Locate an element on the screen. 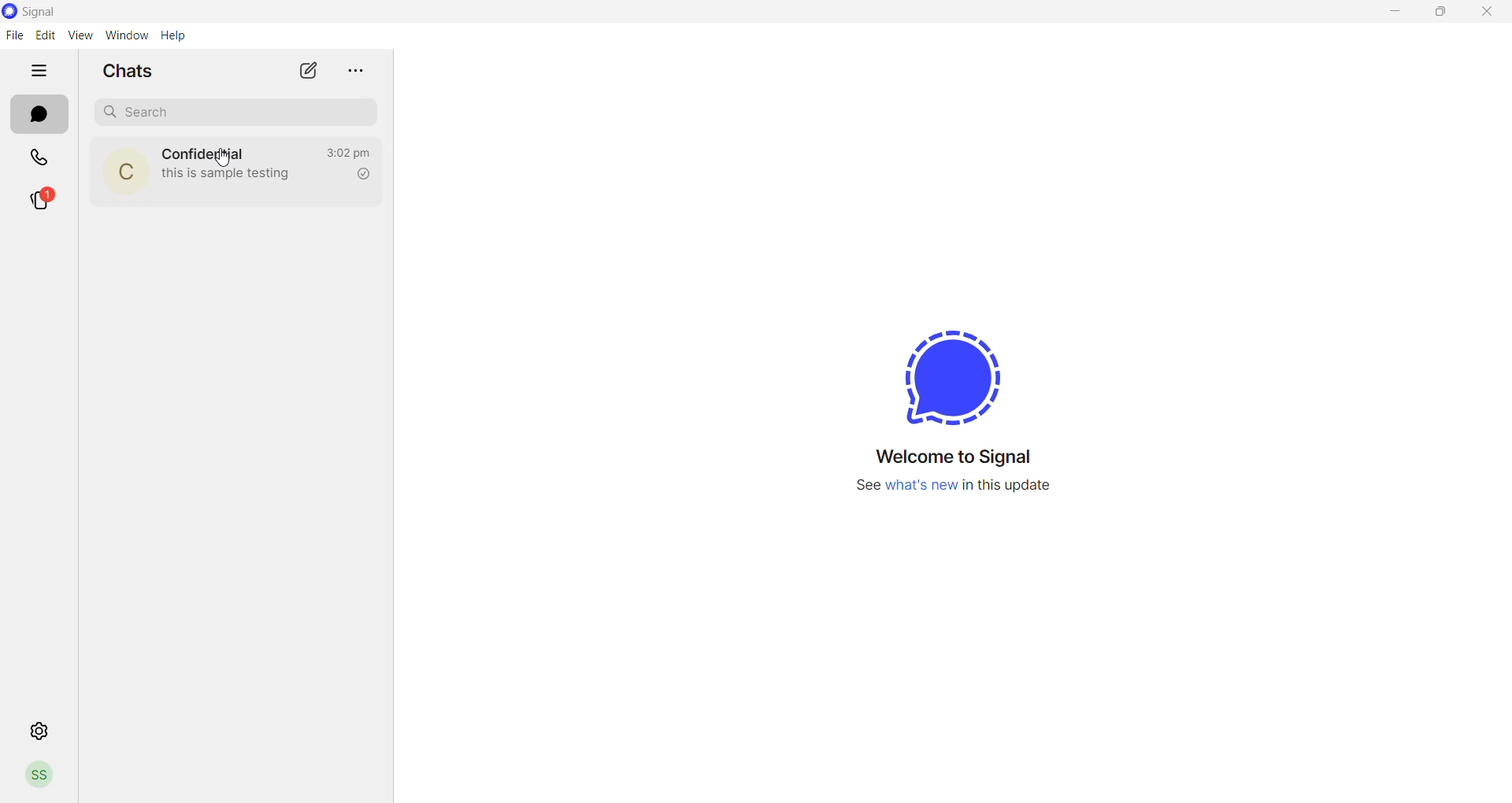 The image size is (1512, 803). chats is located at coordinates (37, 115).